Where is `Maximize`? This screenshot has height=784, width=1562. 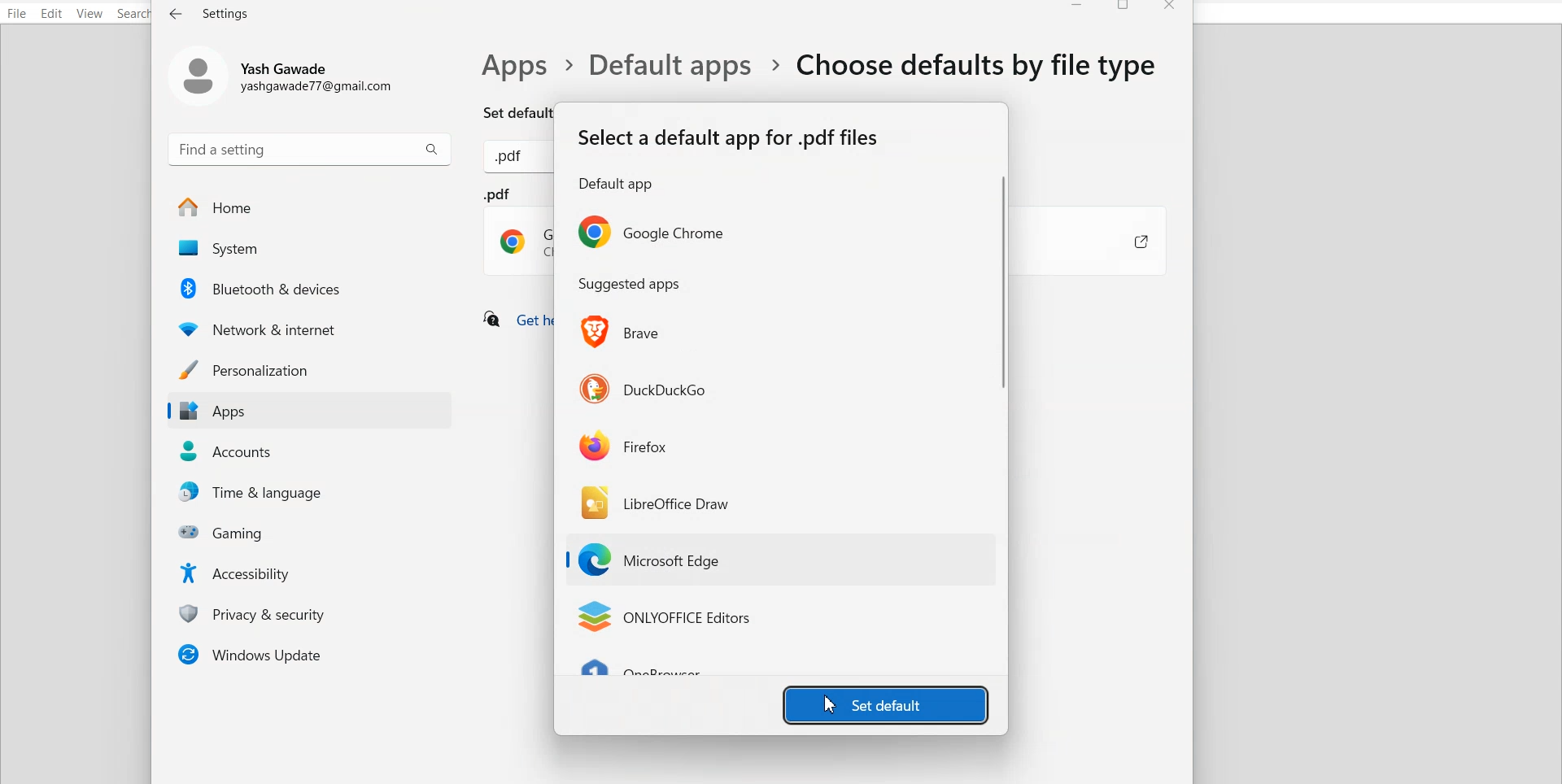 Maximize is located at coordinates (1125, 8).